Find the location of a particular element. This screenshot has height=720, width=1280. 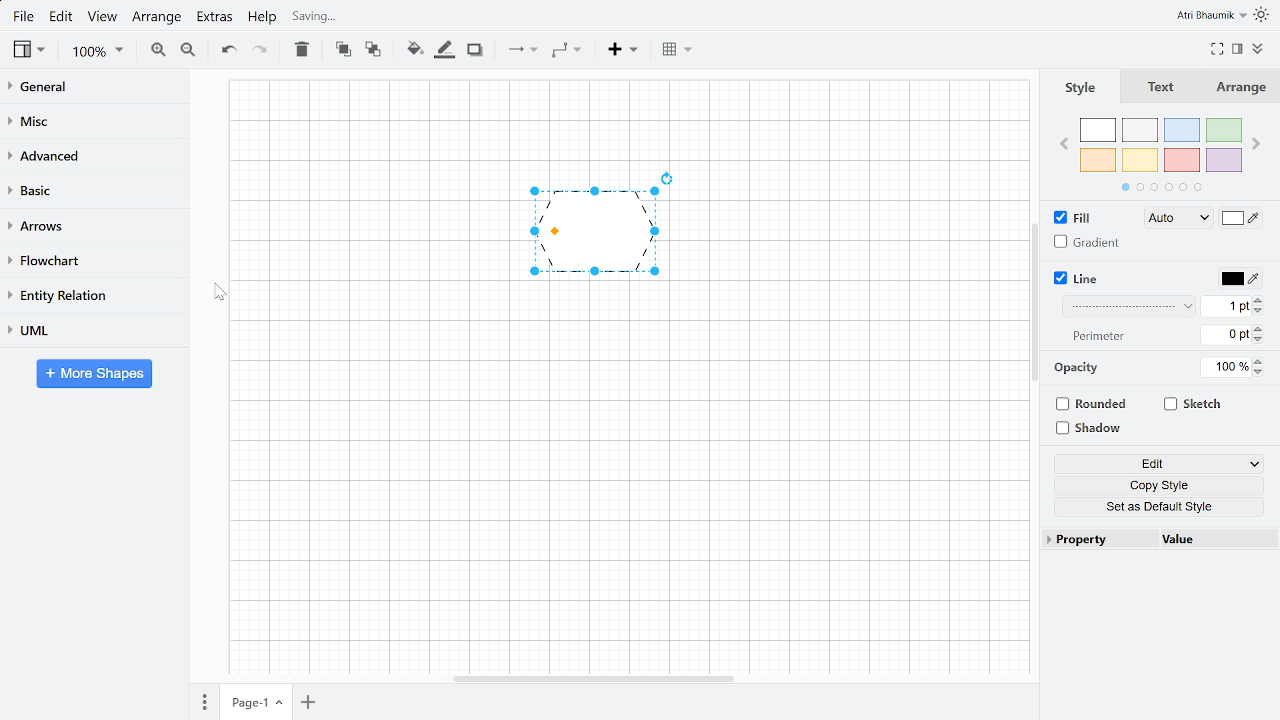

Format is located at coordinates (1237, 46).